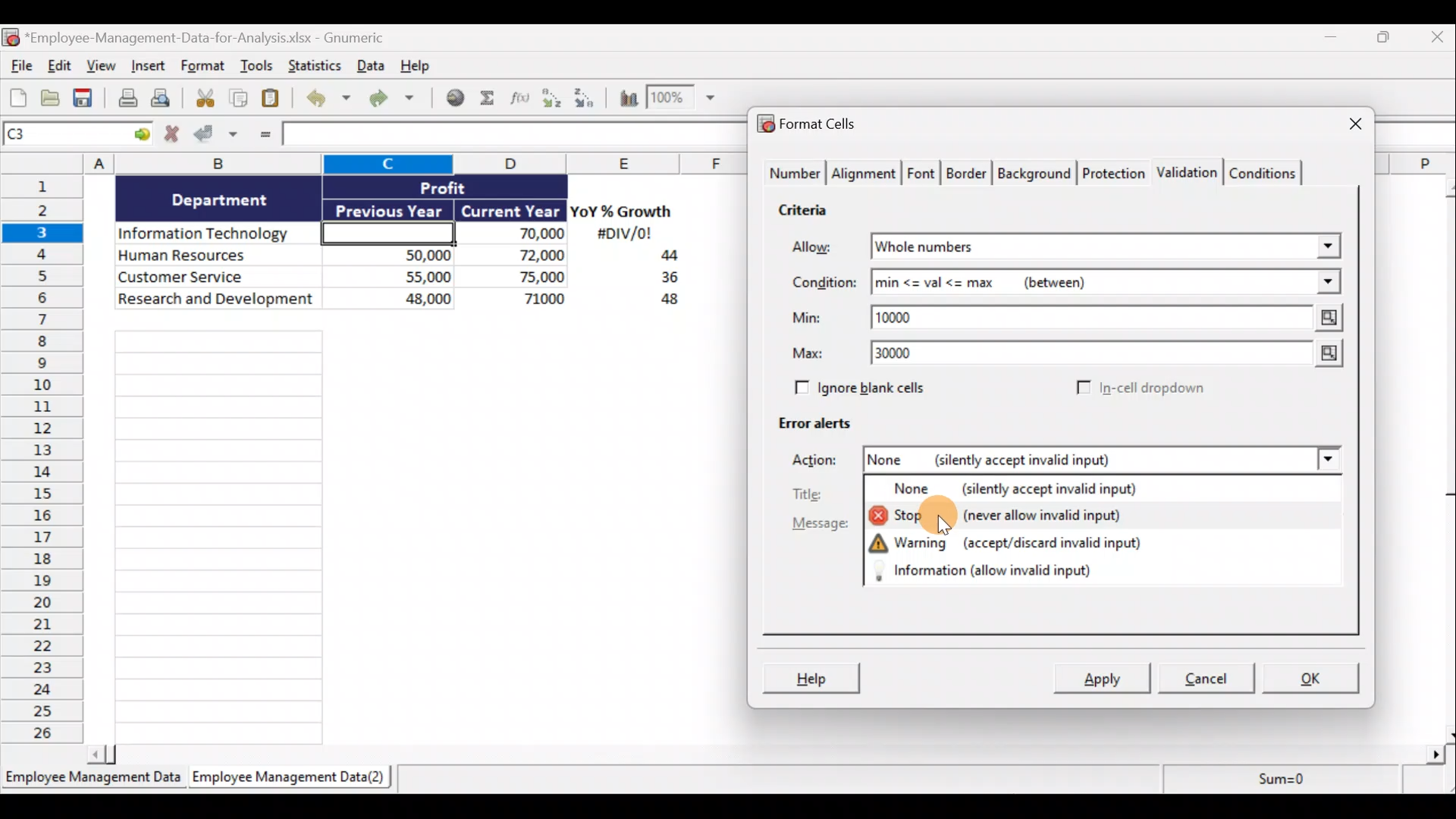 The height and width of the screenshot is (819, 1456). What do you see at coordinates (125, 99) in the screenshot?
I see `Print current file` at bounding box center [125, 99].